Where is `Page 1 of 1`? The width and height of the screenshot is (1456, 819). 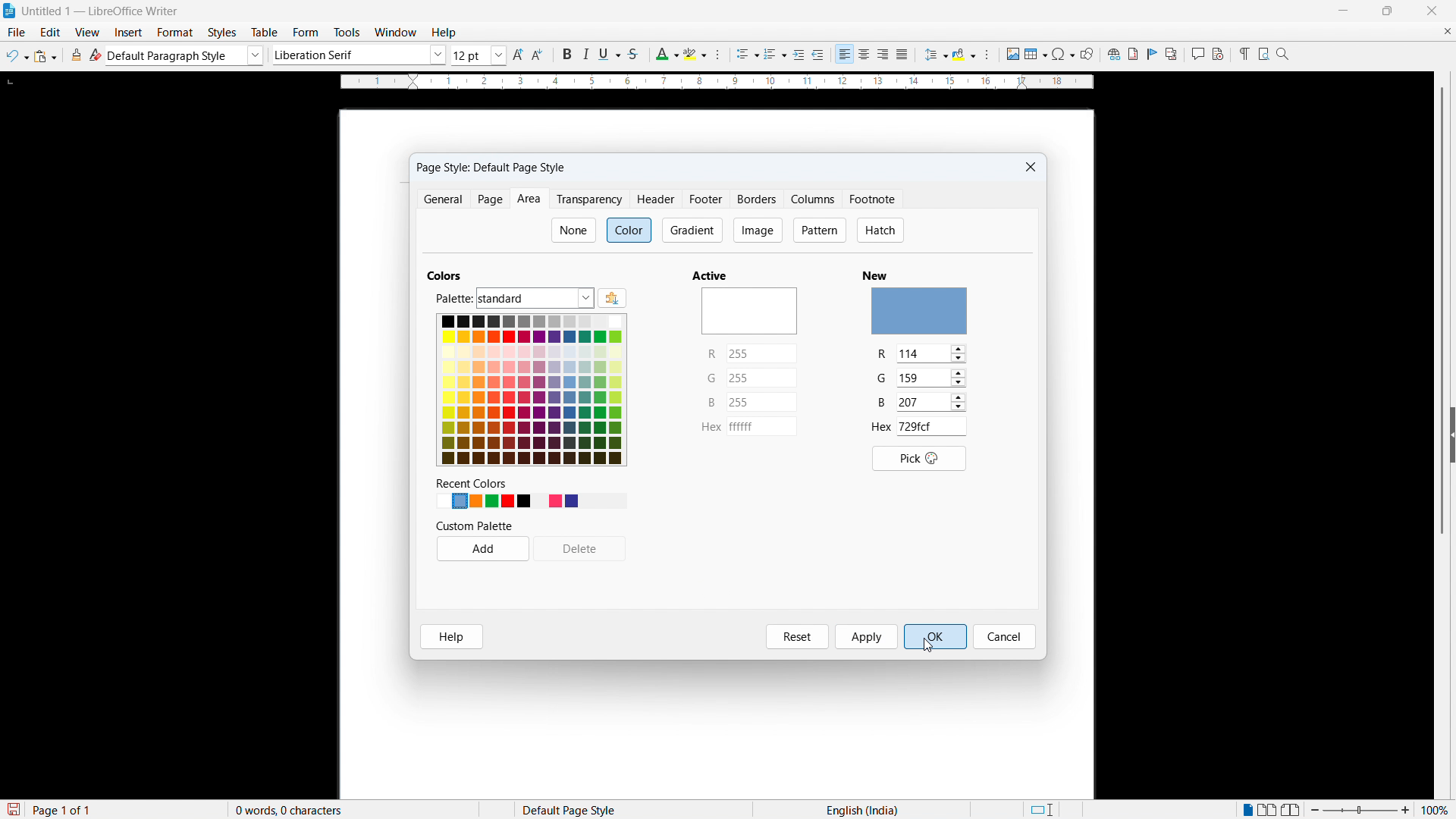 Page 1 of 1 is located at coordinates (63, 809).